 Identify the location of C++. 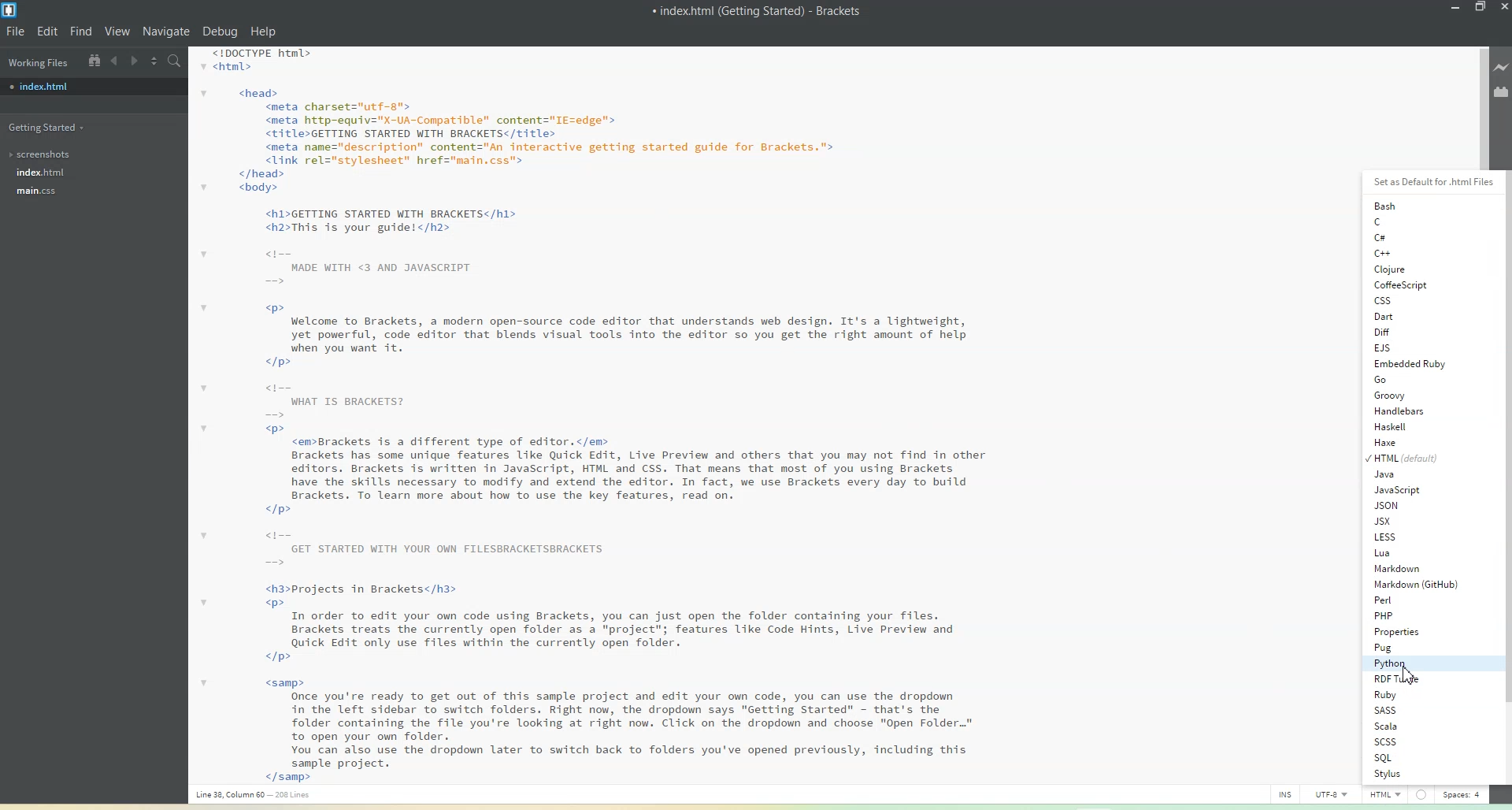
(1406, 253).